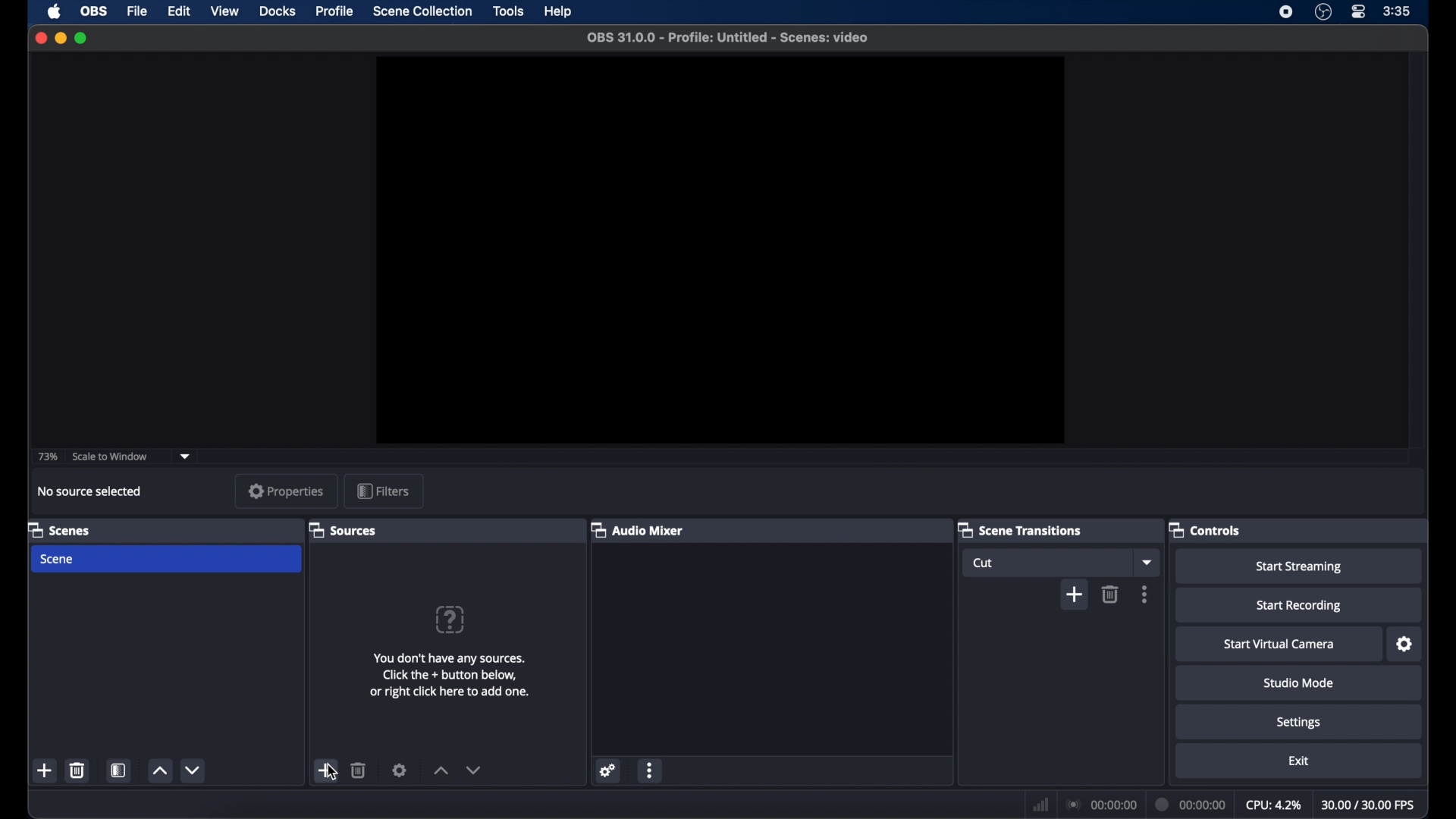 This screenshot has width=1456, height=819. Describe the element at coordinates (45, 770) in the screenshot. I see `add` at that location.